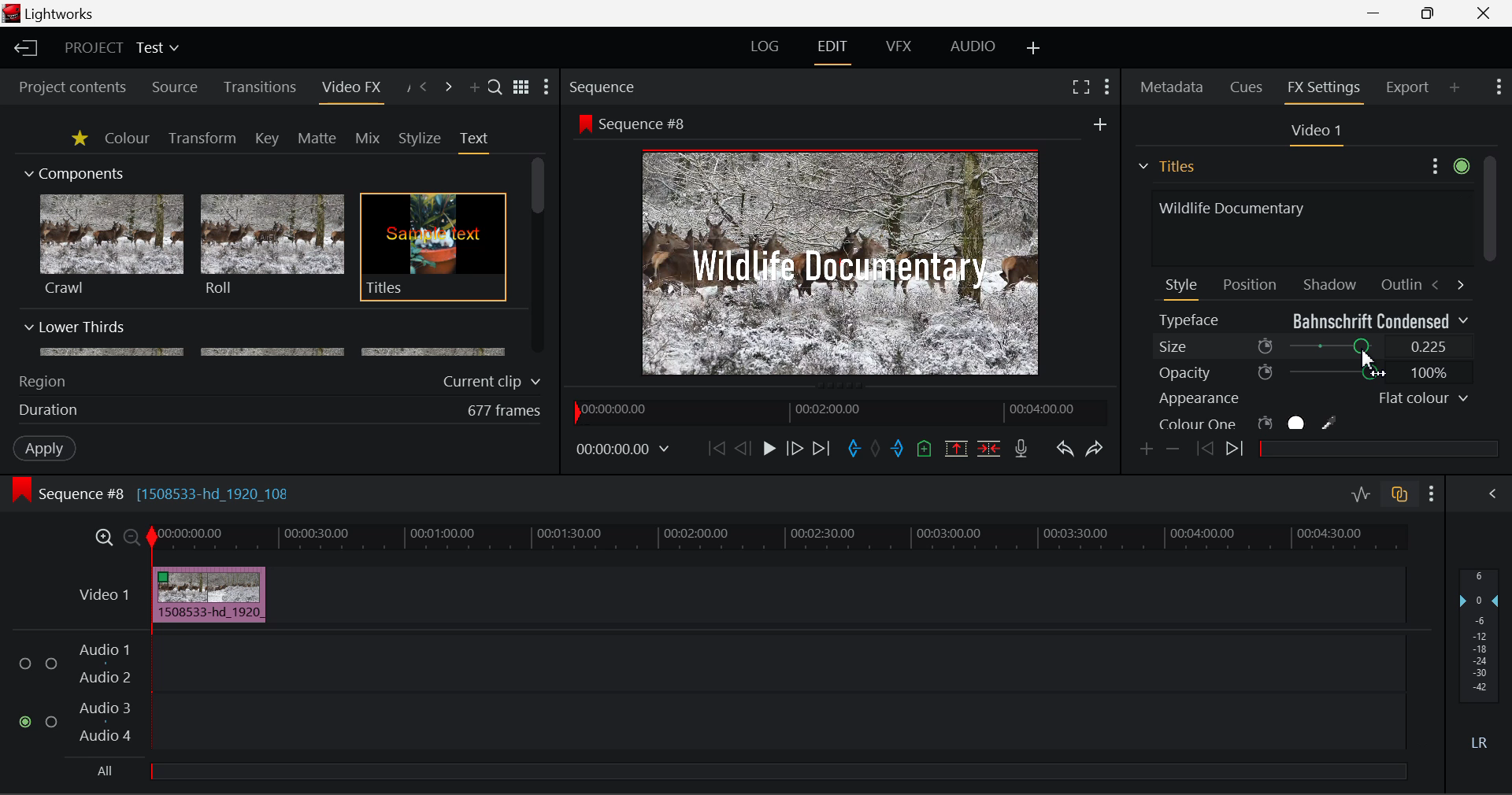 This screenshot has width=1512, height=795. Describe the element at coordinates (717, 449) in the screenshot. I see `To Start` at that location.